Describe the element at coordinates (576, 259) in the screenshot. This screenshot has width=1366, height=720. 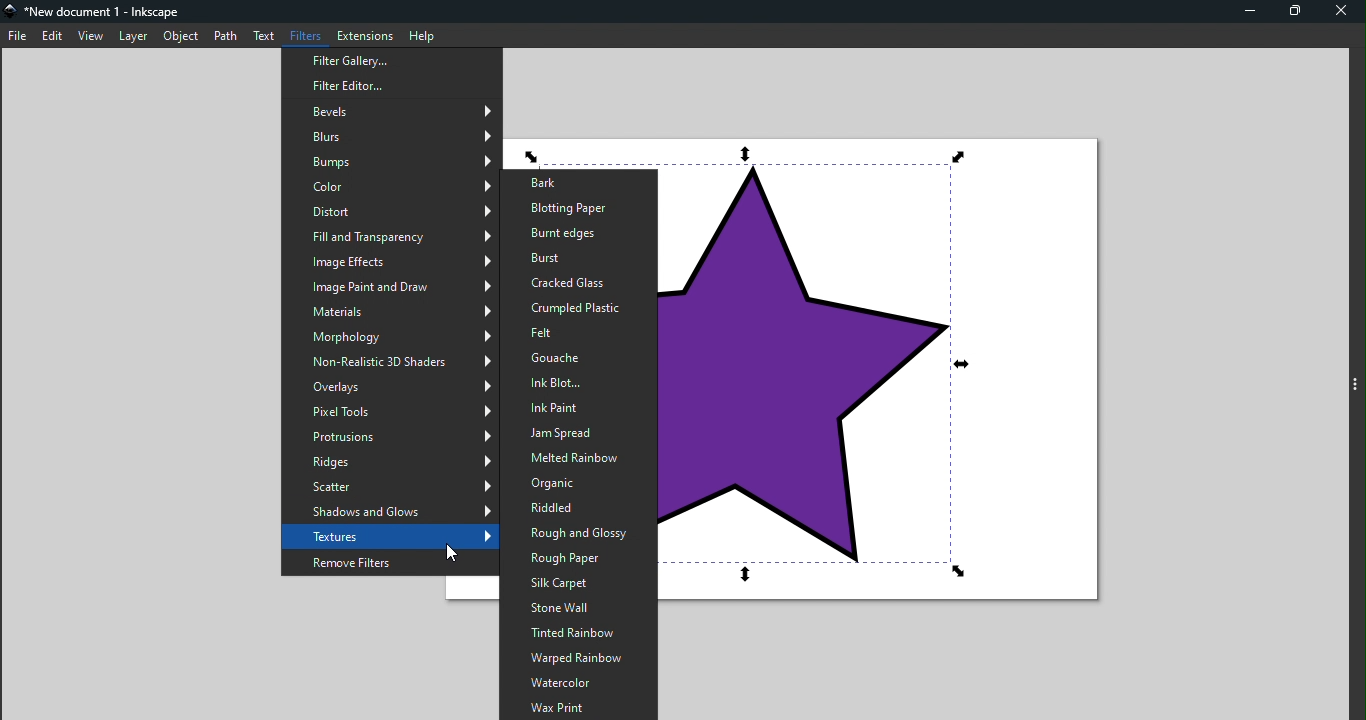
I see `Burst` at that location.